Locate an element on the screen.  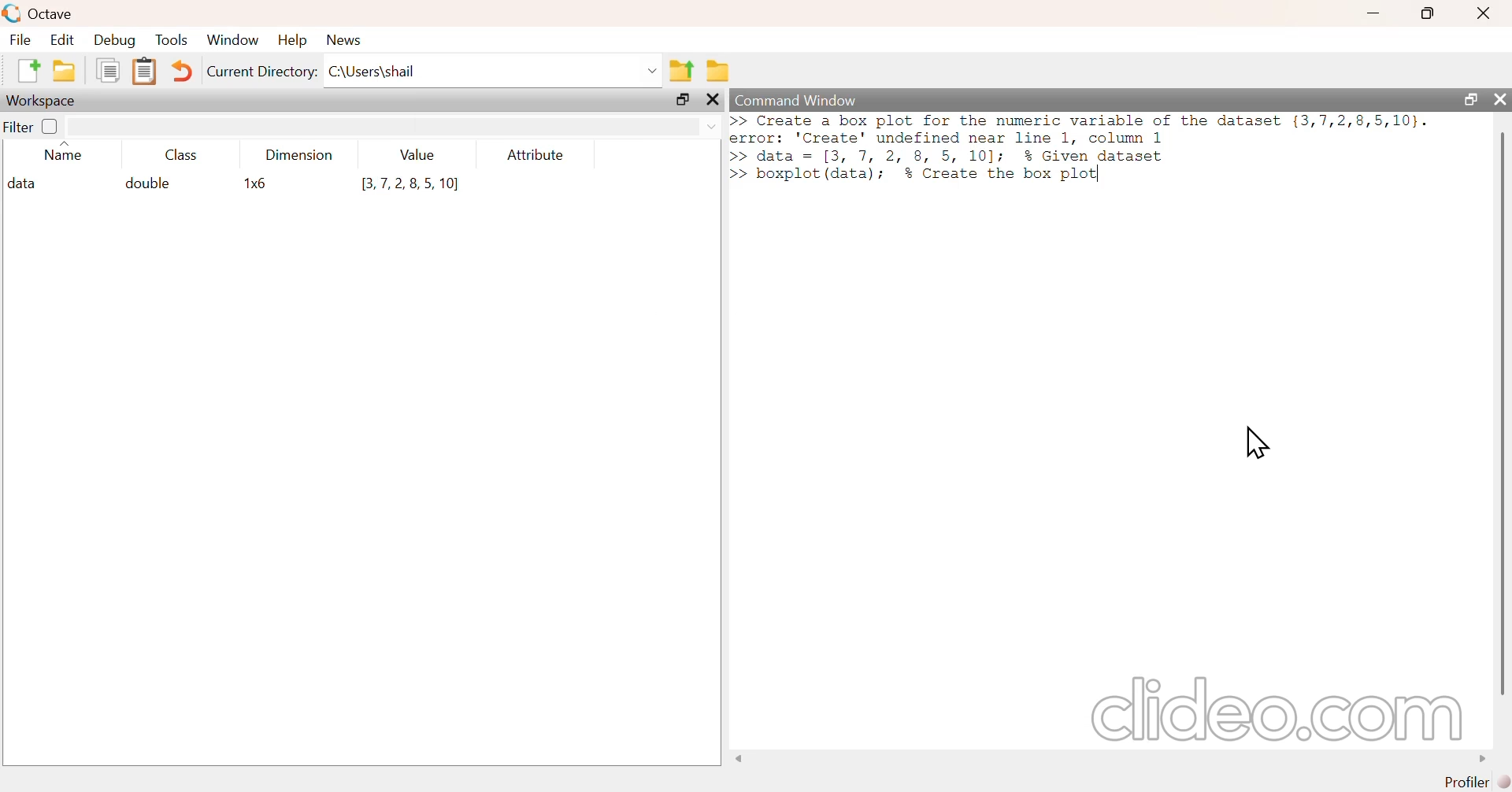
edit is located at coordinates (66, 39).